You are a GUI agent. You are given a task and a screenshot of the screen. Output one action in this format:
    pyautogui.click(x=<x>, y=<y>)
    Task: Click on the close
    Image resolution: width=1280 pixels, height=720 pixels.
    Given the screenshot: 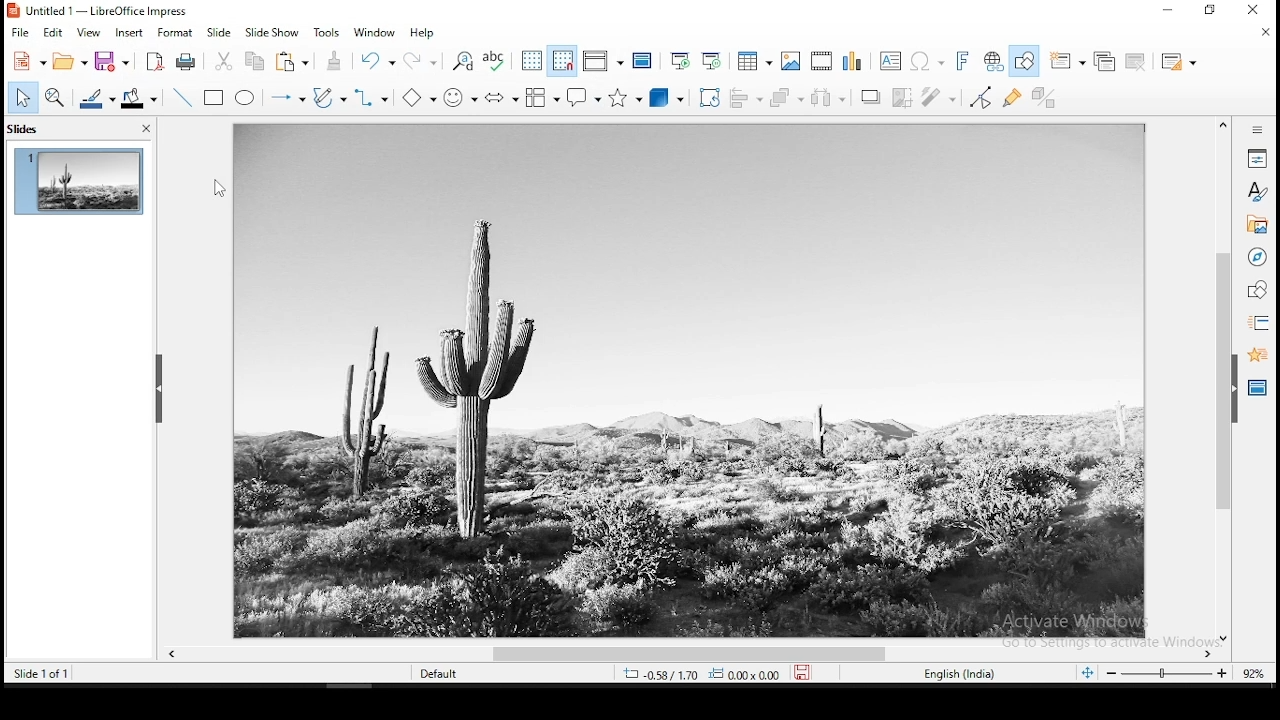 What is the action you would take?
    pyautogui.click(x=1264, y=31)
    